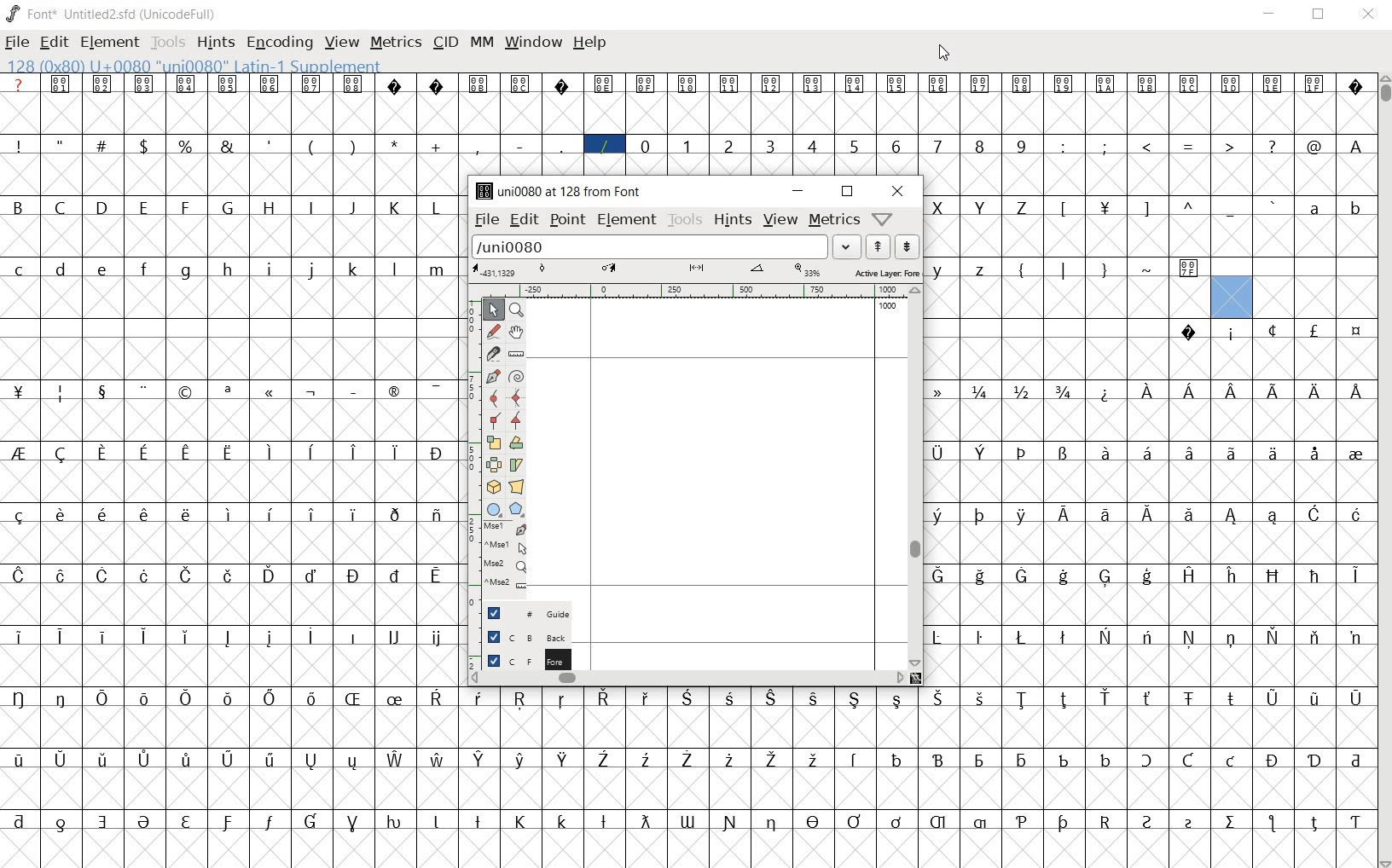 This screenshot has width=1392, height=868. What do you see at coordinates (979, 84) in the screenshot?
I see `glyph` at bounding box center [979, 84].